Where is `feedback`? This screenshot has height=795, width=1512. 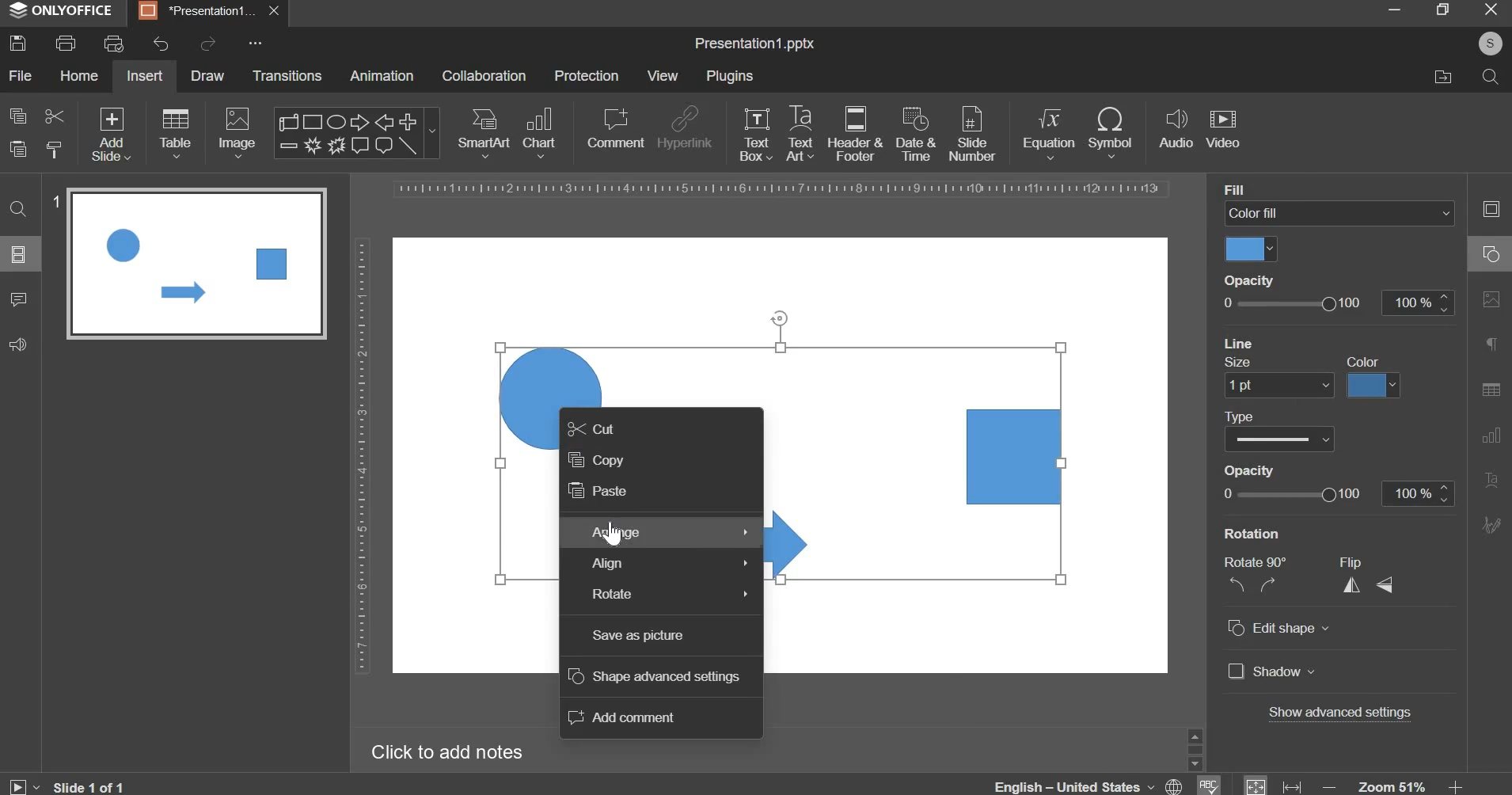 feedback is located at coordinates (17, 344).